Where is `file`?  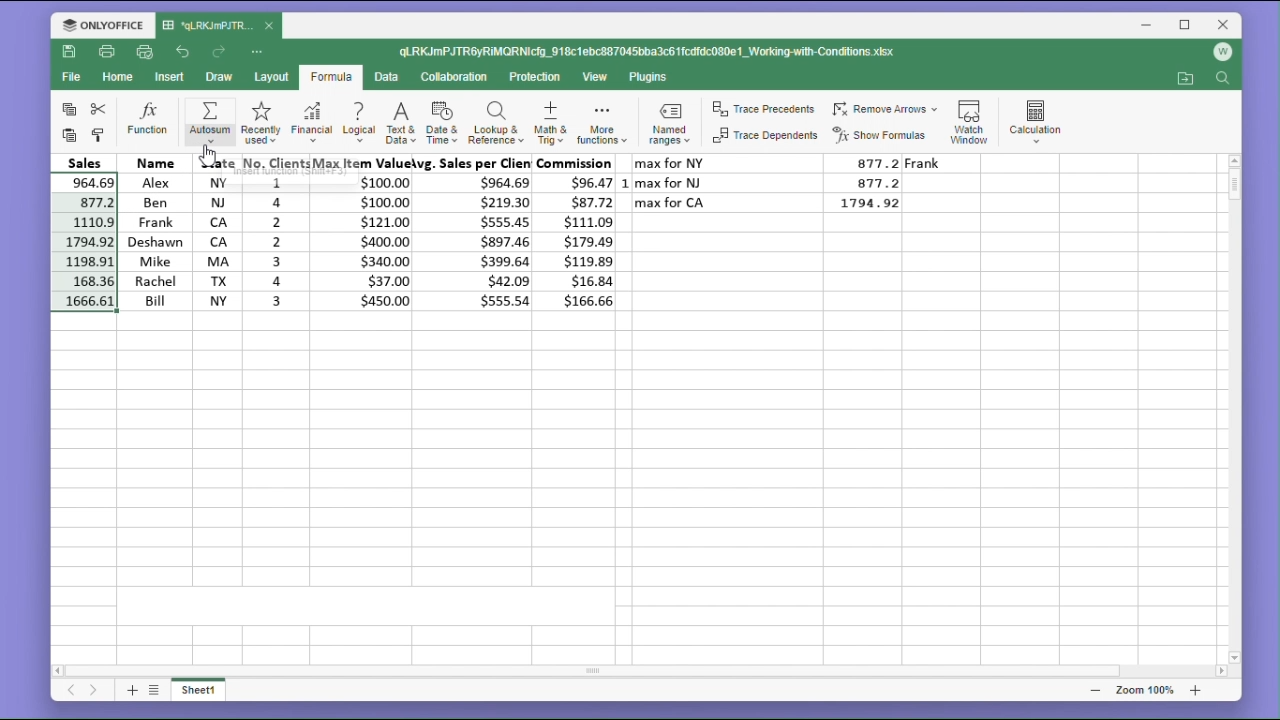 file is located at coordinates (71, 80).